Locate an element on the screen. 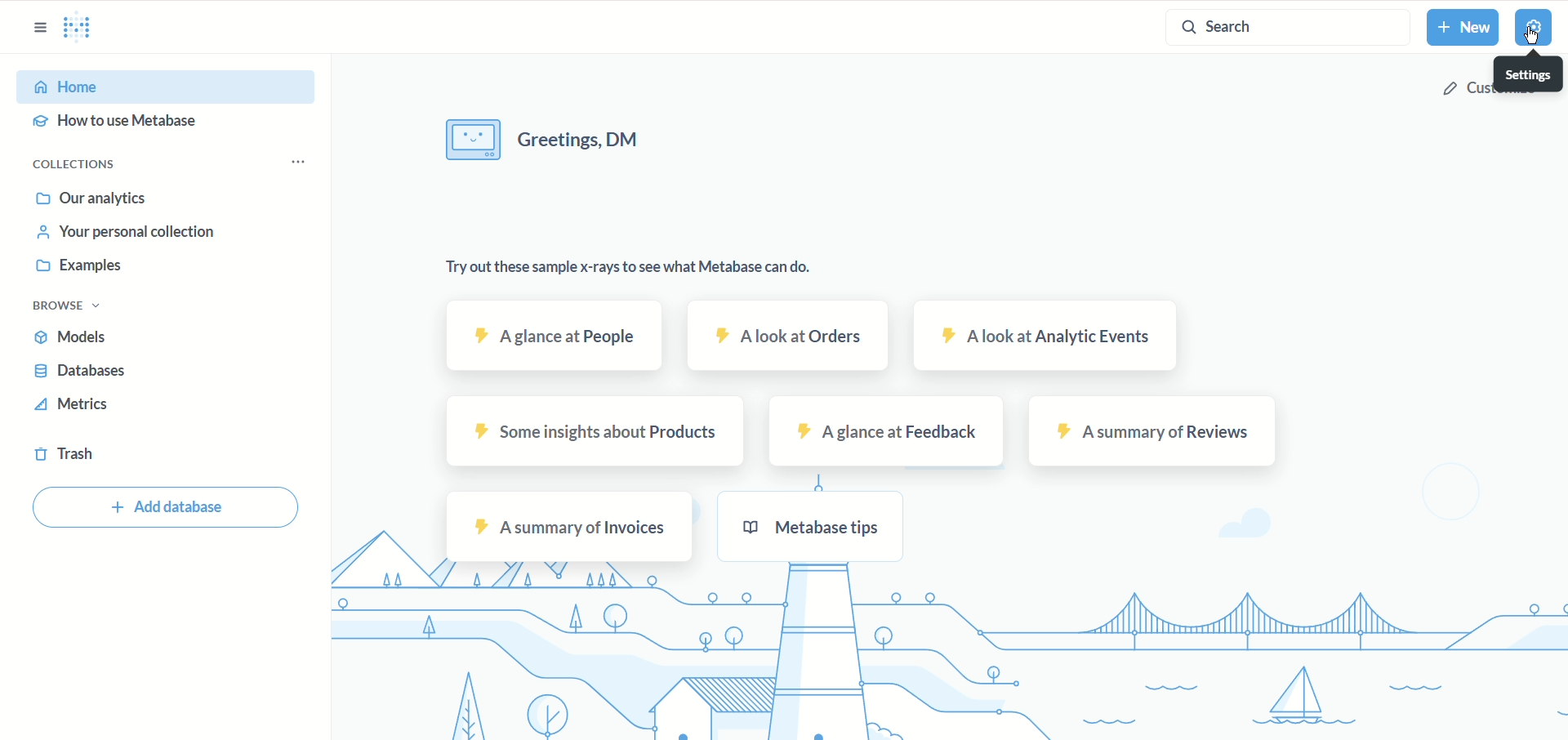 The width and height of the screenshot is (1568, 740). a glance at People is located at coordinates (547, 338).